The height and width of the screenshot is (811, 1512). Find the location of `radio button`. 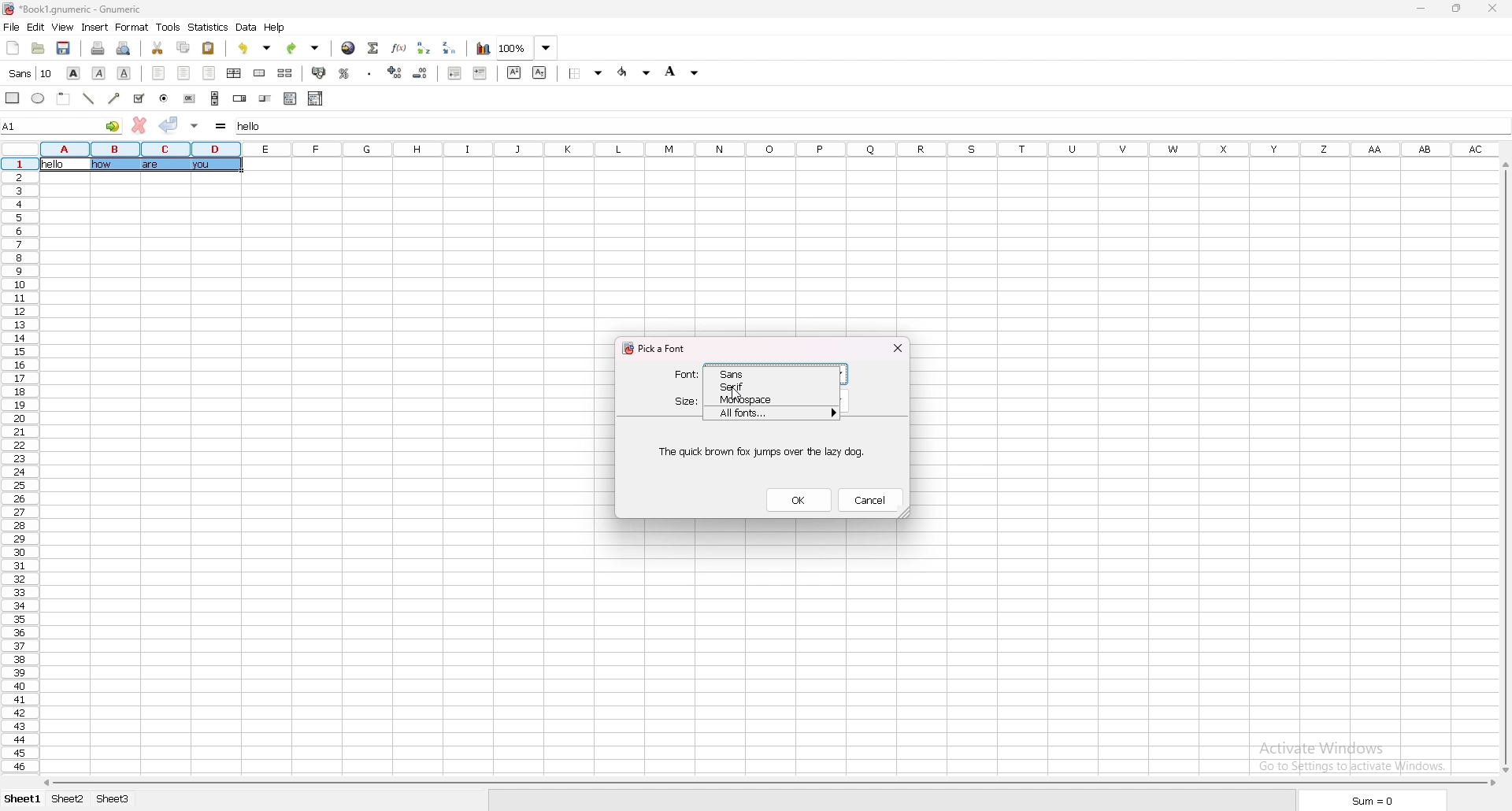

radio button is located at coordinates (163, 98).